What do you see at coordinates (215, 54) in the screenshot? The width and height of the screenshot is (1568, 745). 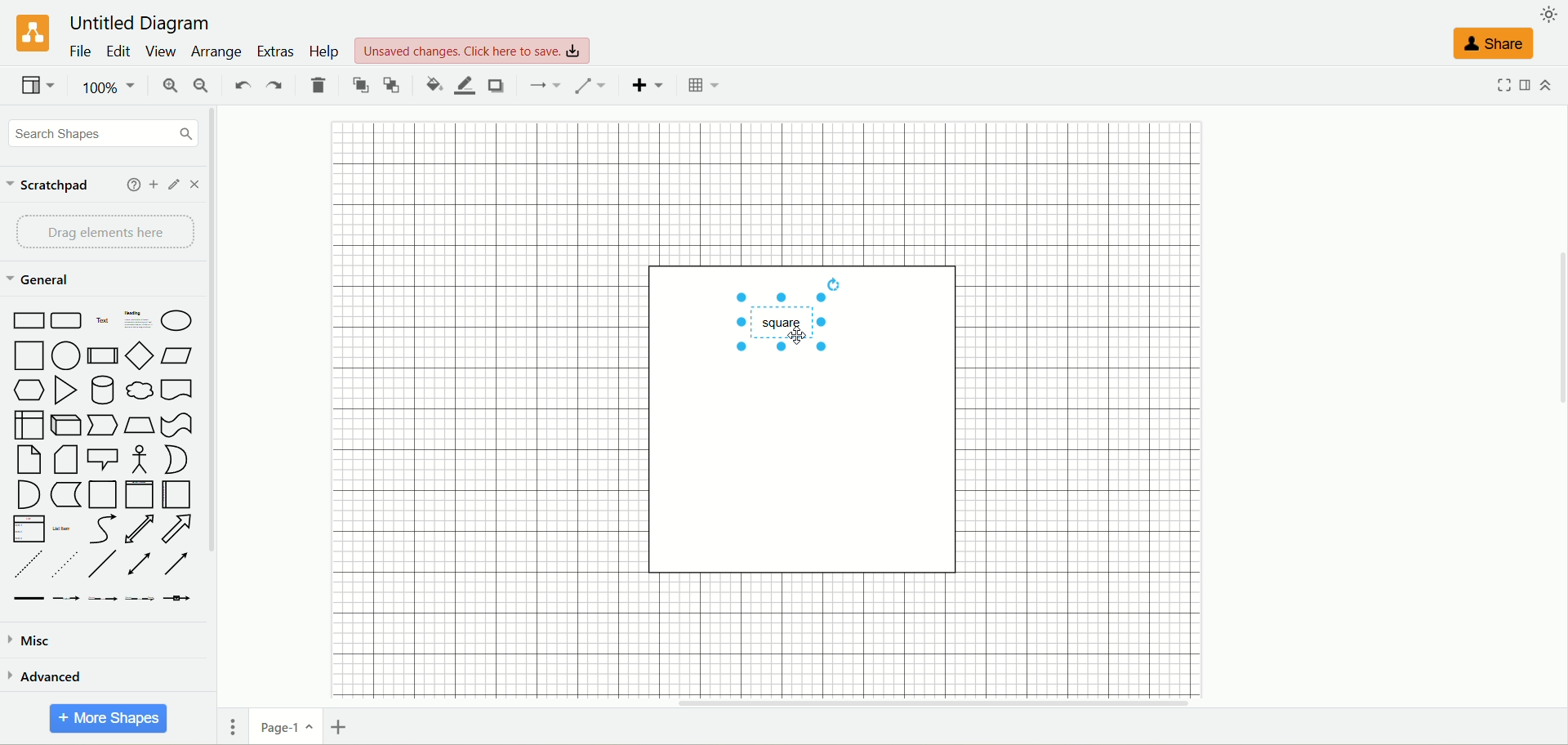 I see `arrange` at bounding box center [215, 54].